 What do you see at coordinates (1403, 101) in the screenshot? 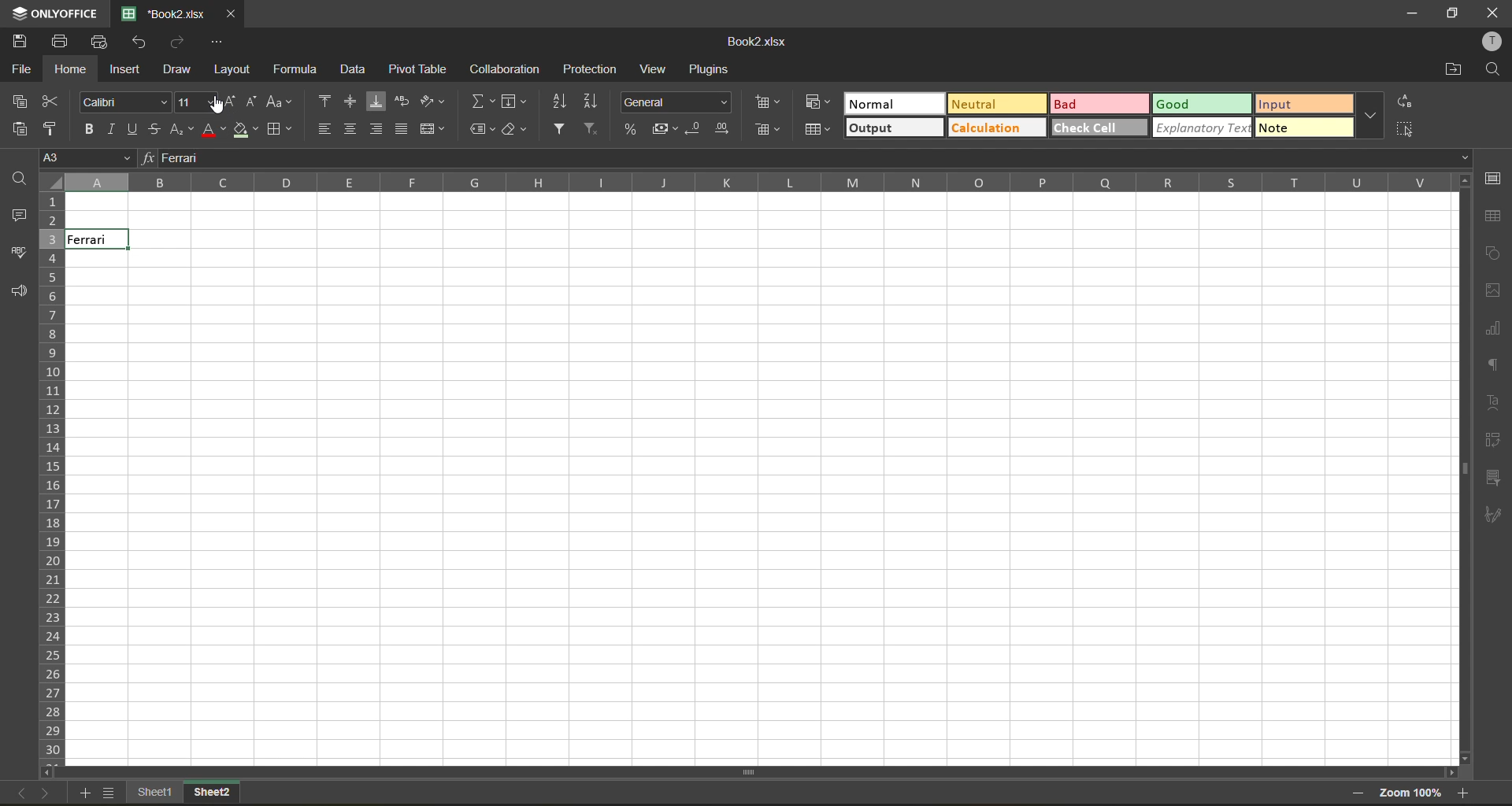
I see `replace` at bounding box center [1403, 101].